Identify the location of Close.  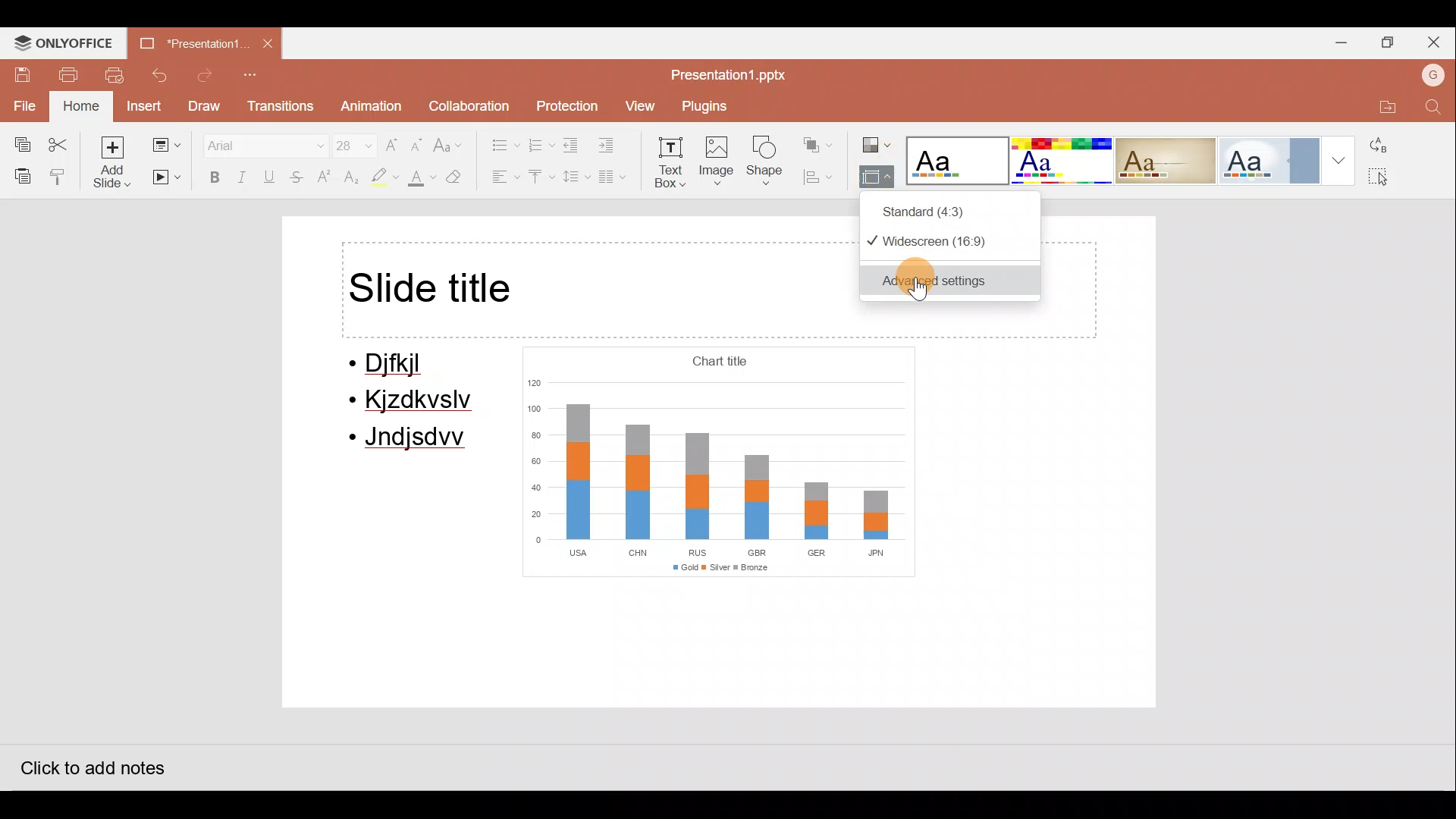
(1437, 41).